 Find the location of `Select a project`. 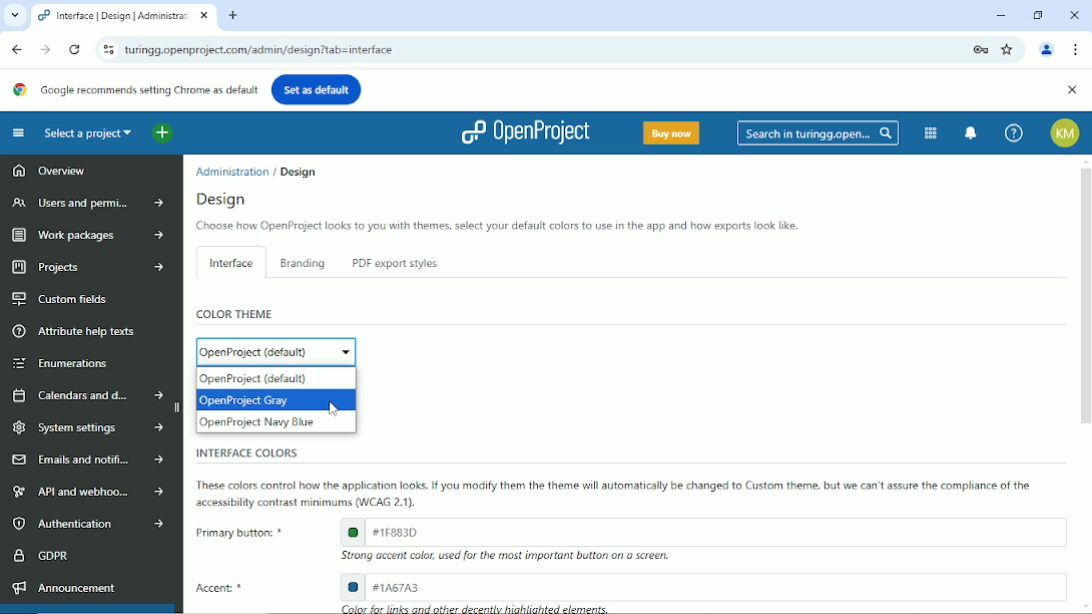

Select a project is located at coordinates (88, 133).